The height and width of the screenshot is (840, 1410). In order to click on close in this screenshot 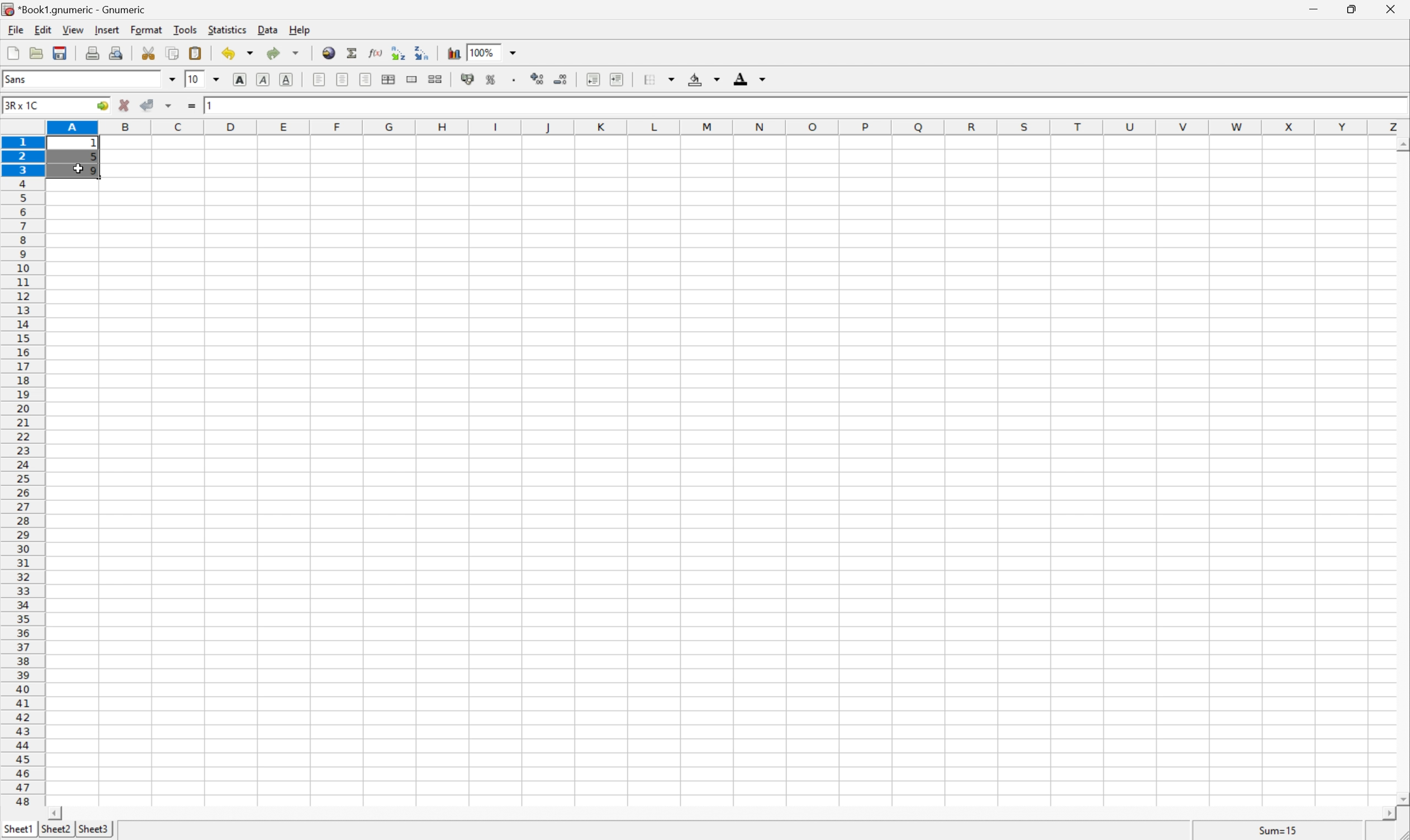, I will do `click(1397, 9)`.